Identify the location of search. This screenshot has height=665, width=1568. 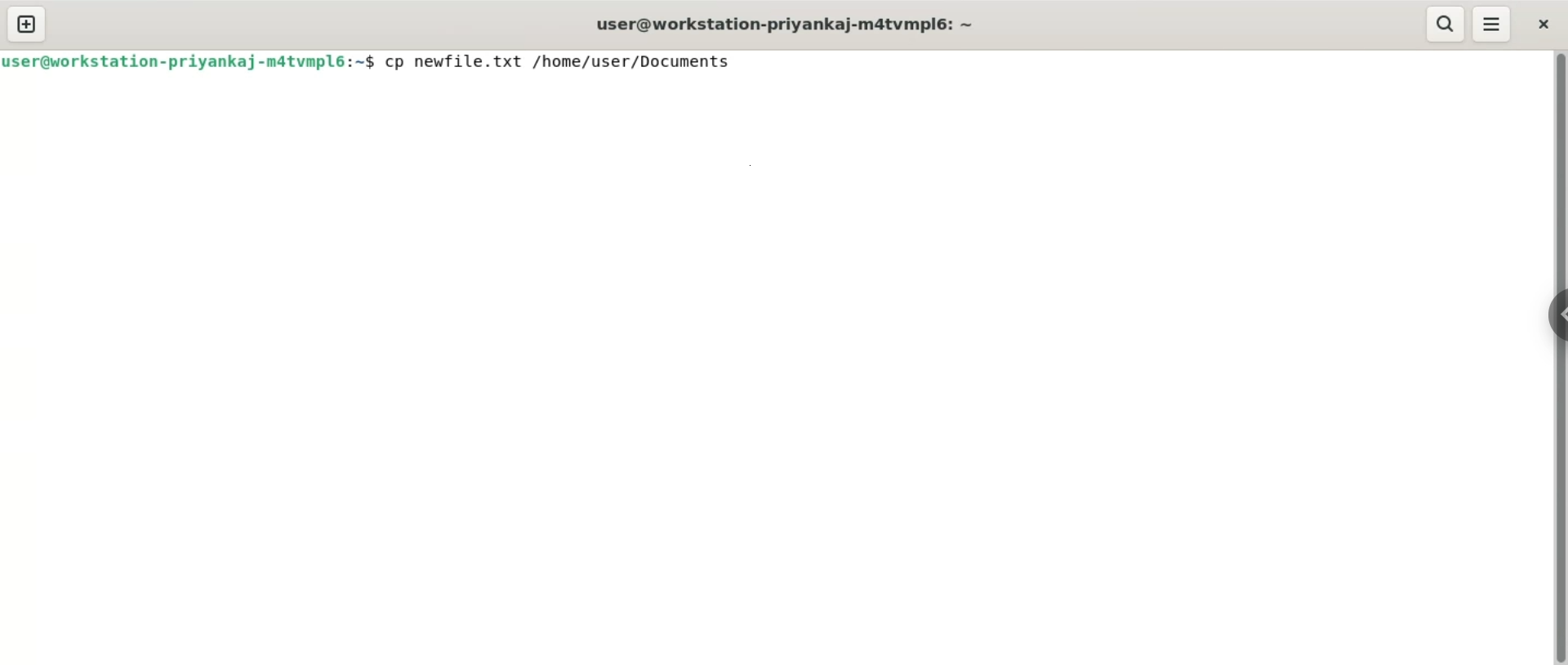
(1446, 24).